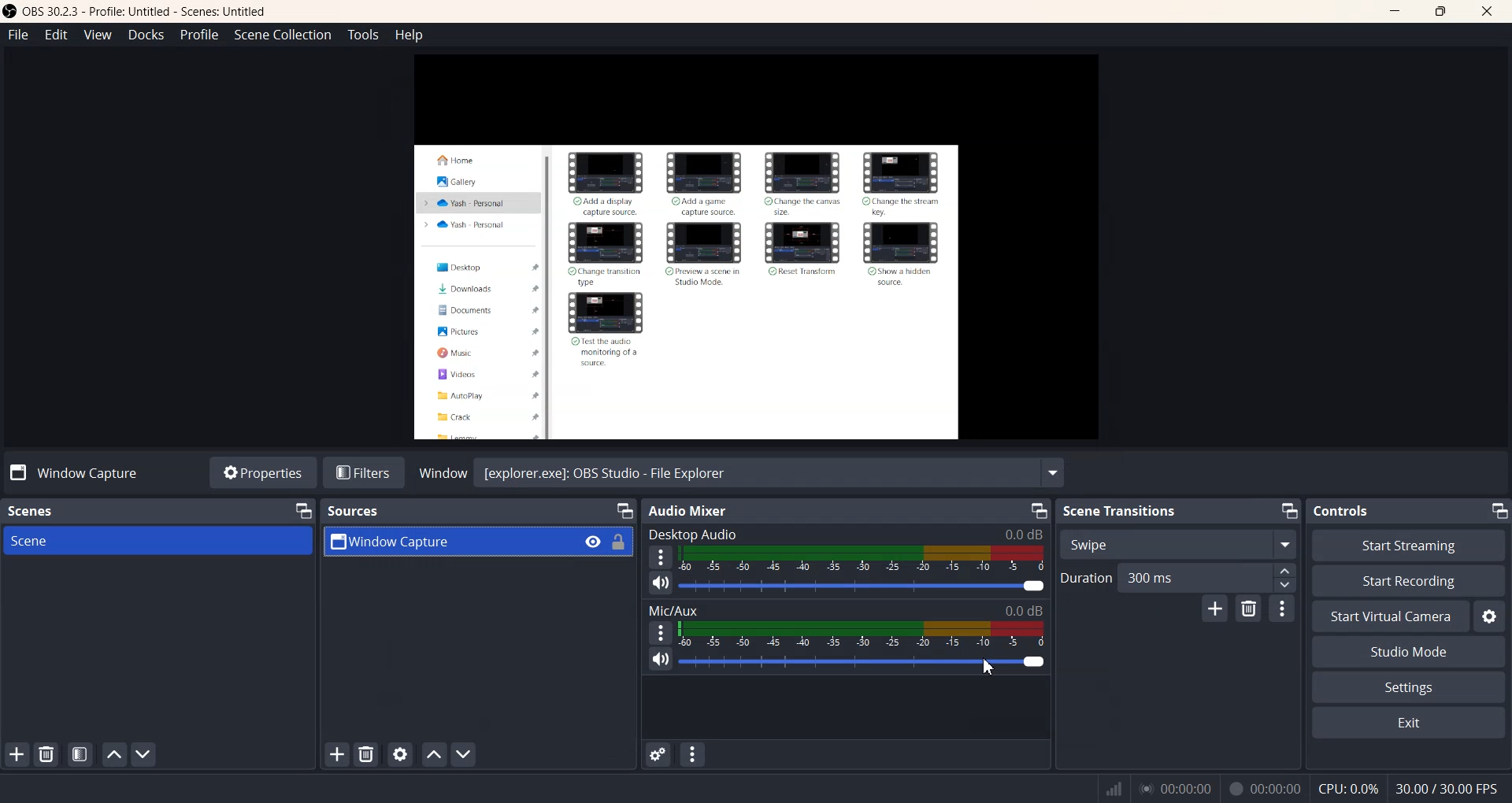 The image size is (1512, 803). I want to click on Exit, so click(1412, 724).